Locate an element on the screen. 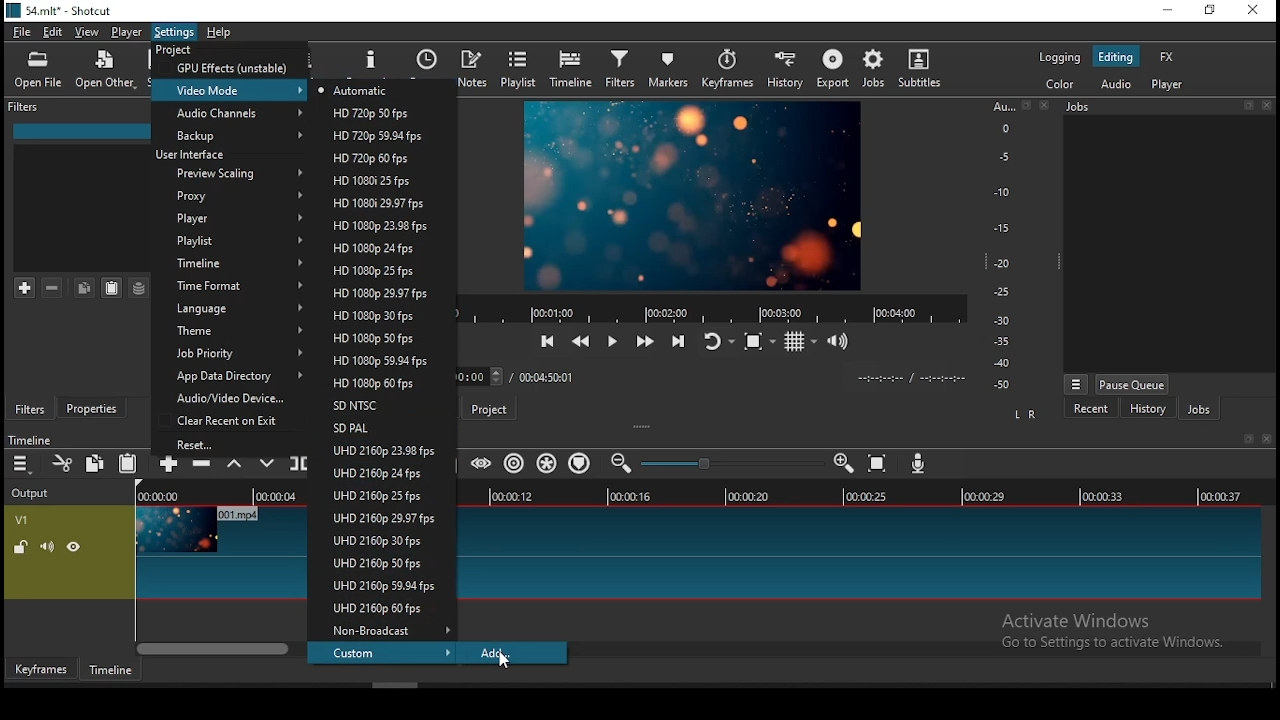 This screenshot has width=1280, height=720. 0.01 mp4 is located at coordinates (243, 515).